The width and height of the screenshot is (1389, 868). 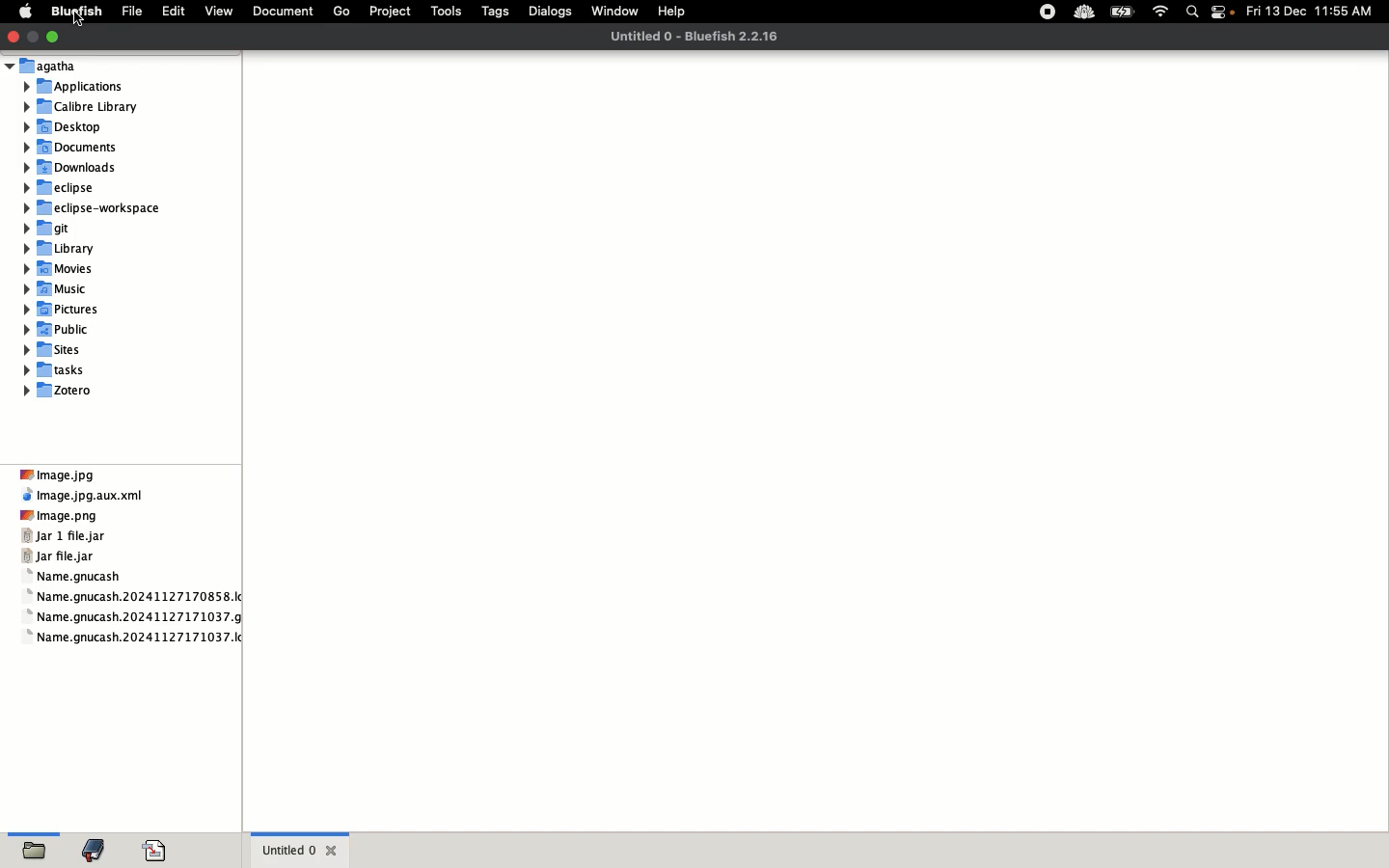 What do you see at coordinates (75, 148) in the screenshot?
I see `documents` at bounding box center [75, 148].